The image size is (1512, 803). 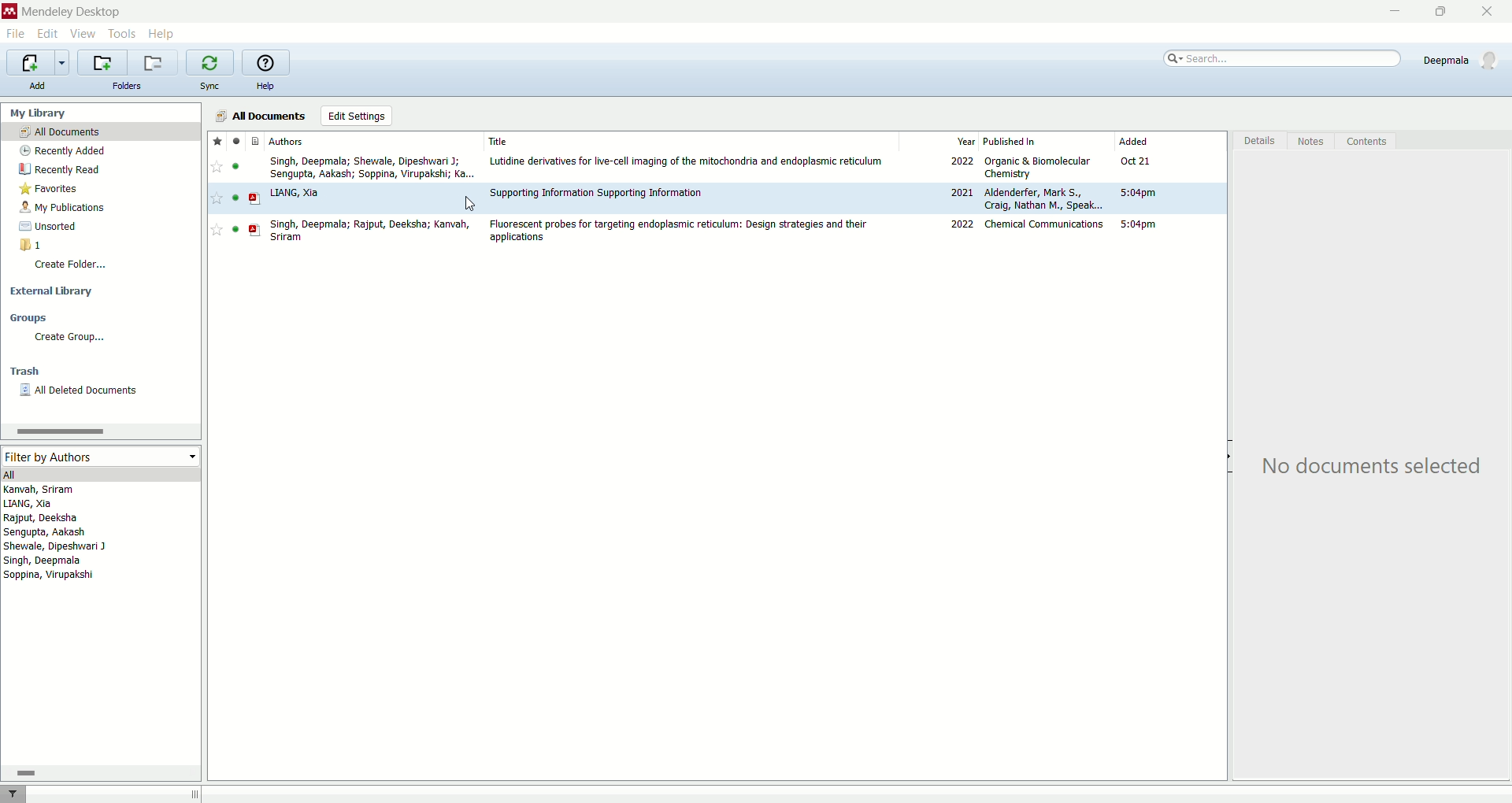 I want to click on favorite, so click(x=216, y=166).